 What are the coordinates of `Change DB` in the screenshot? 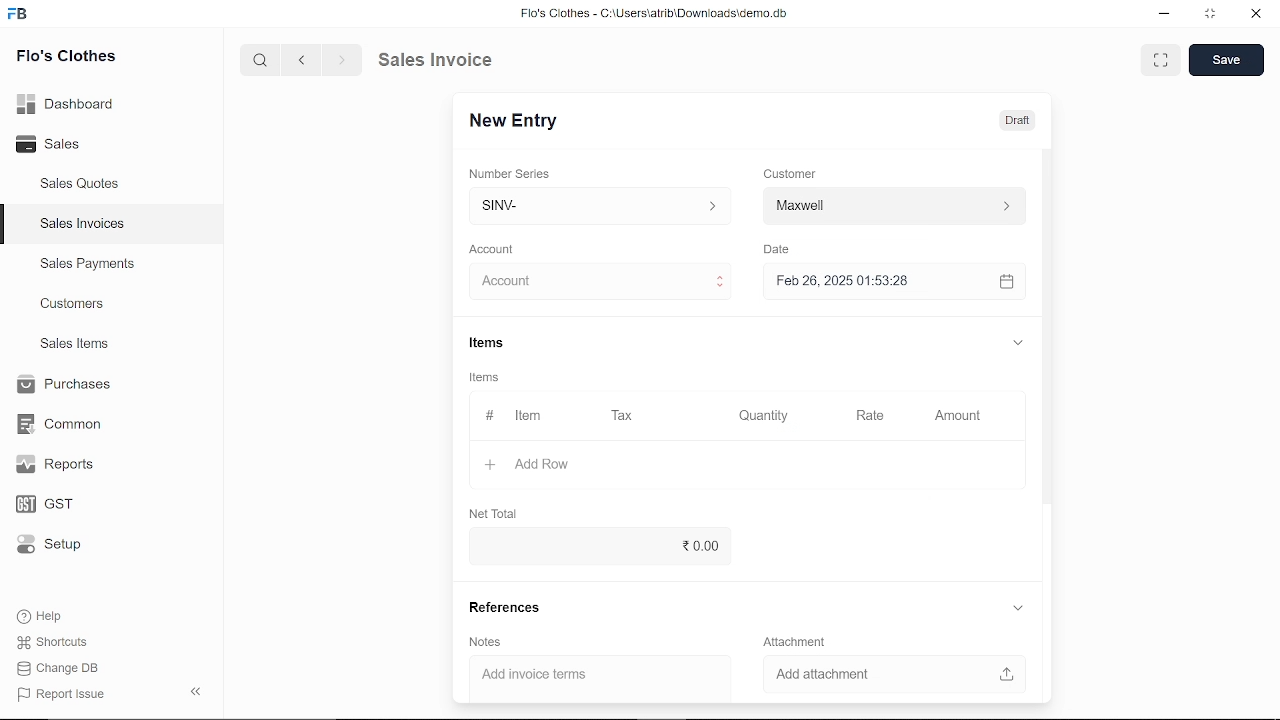 It's located at (64, 668).